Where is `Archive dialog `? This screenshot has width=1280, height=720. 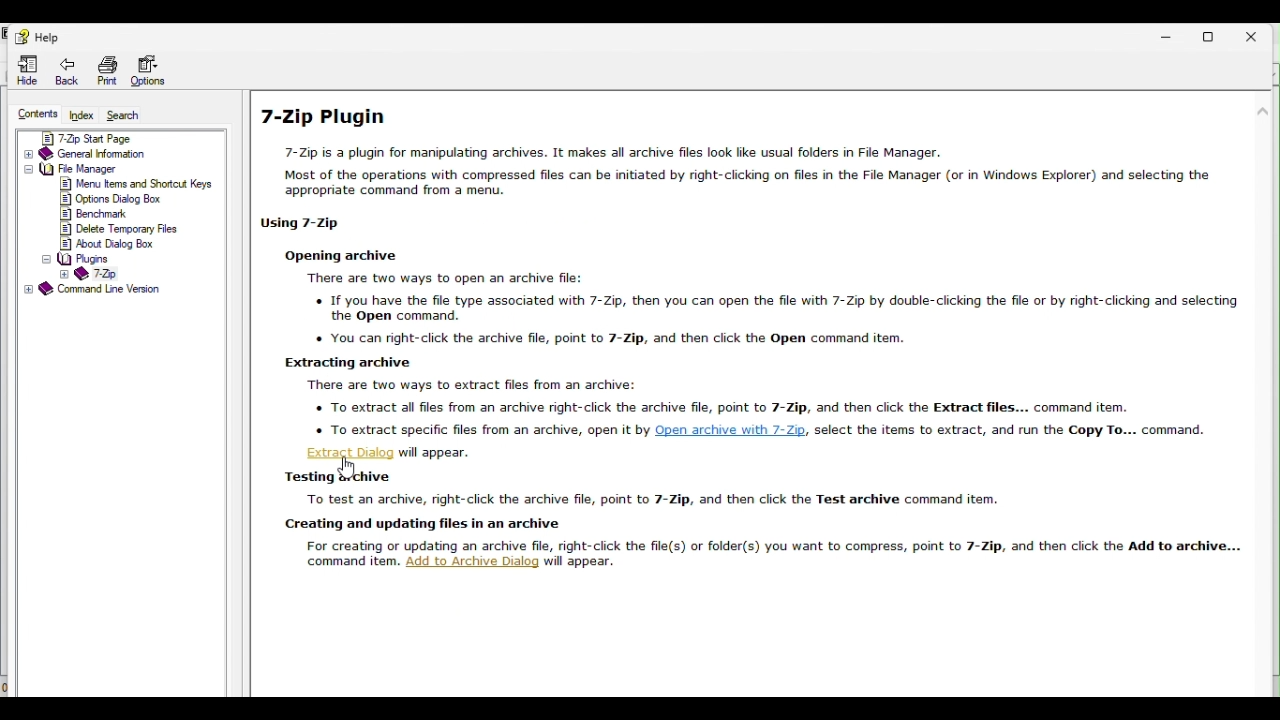
Archive dialog  is located at coordinates (342, 477).